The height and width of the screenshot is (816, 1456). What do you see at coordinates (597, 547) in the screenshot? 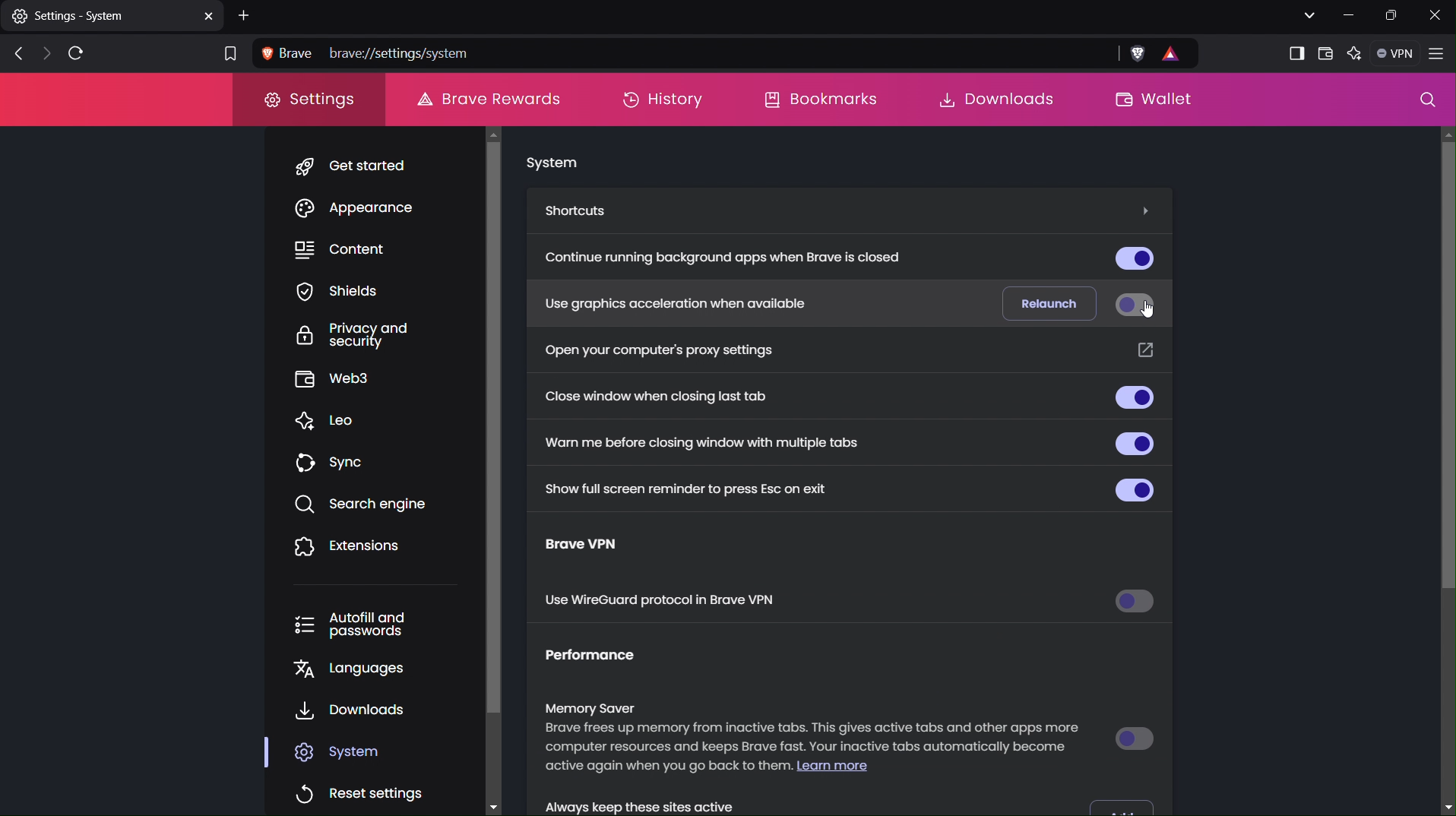
I see `Brave VPN` at bounding box center [597, 547].